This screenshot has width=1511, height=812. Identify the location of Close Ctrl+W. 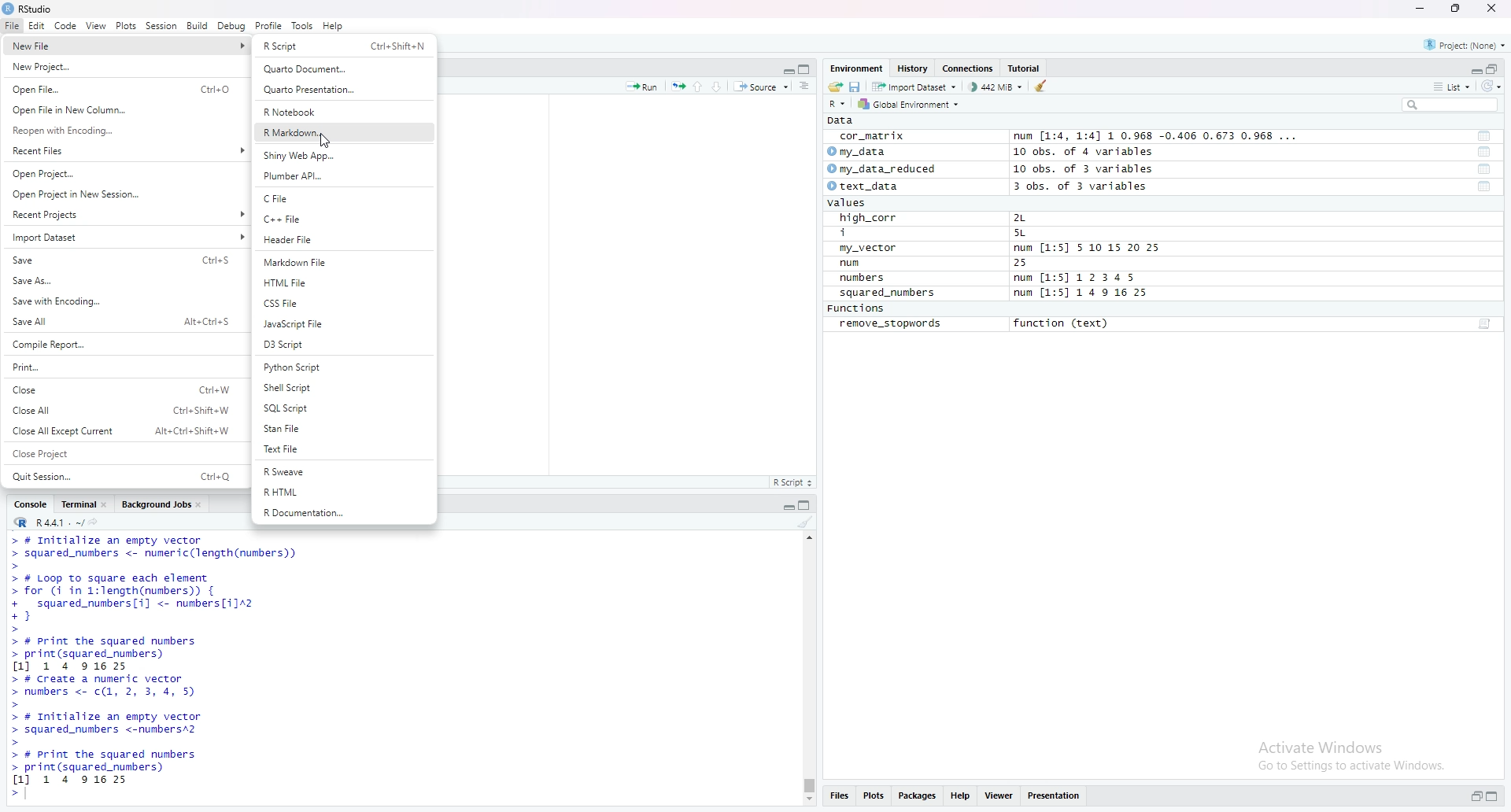
(122, 389).